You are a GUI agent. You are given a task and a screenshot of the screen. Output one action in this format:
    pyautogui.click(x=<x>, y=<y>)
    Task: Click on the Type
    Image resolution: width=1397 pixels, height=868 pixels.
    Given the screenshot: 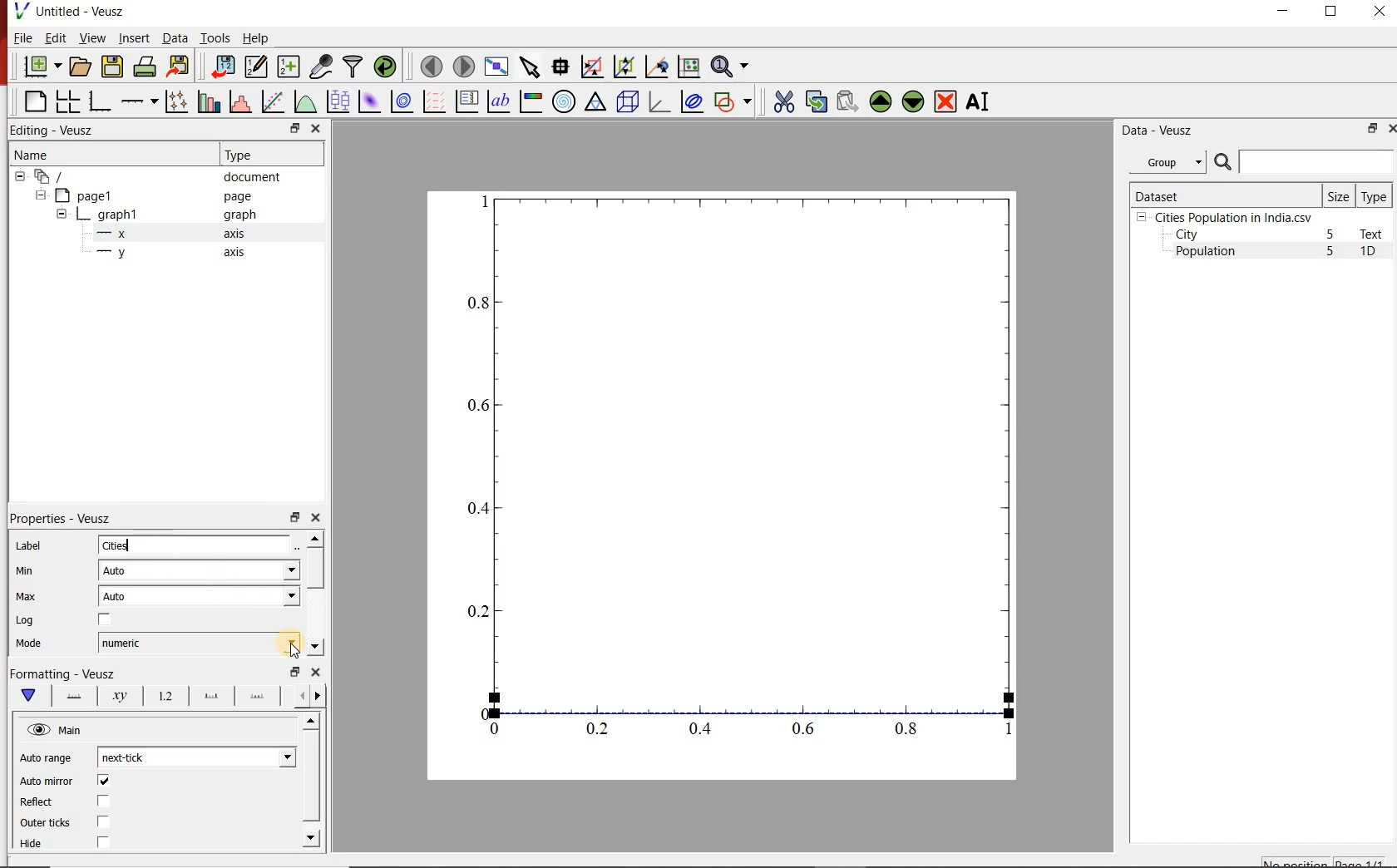 What is the action you would take?
    pyautogui.click(x=1375, y=195)
    